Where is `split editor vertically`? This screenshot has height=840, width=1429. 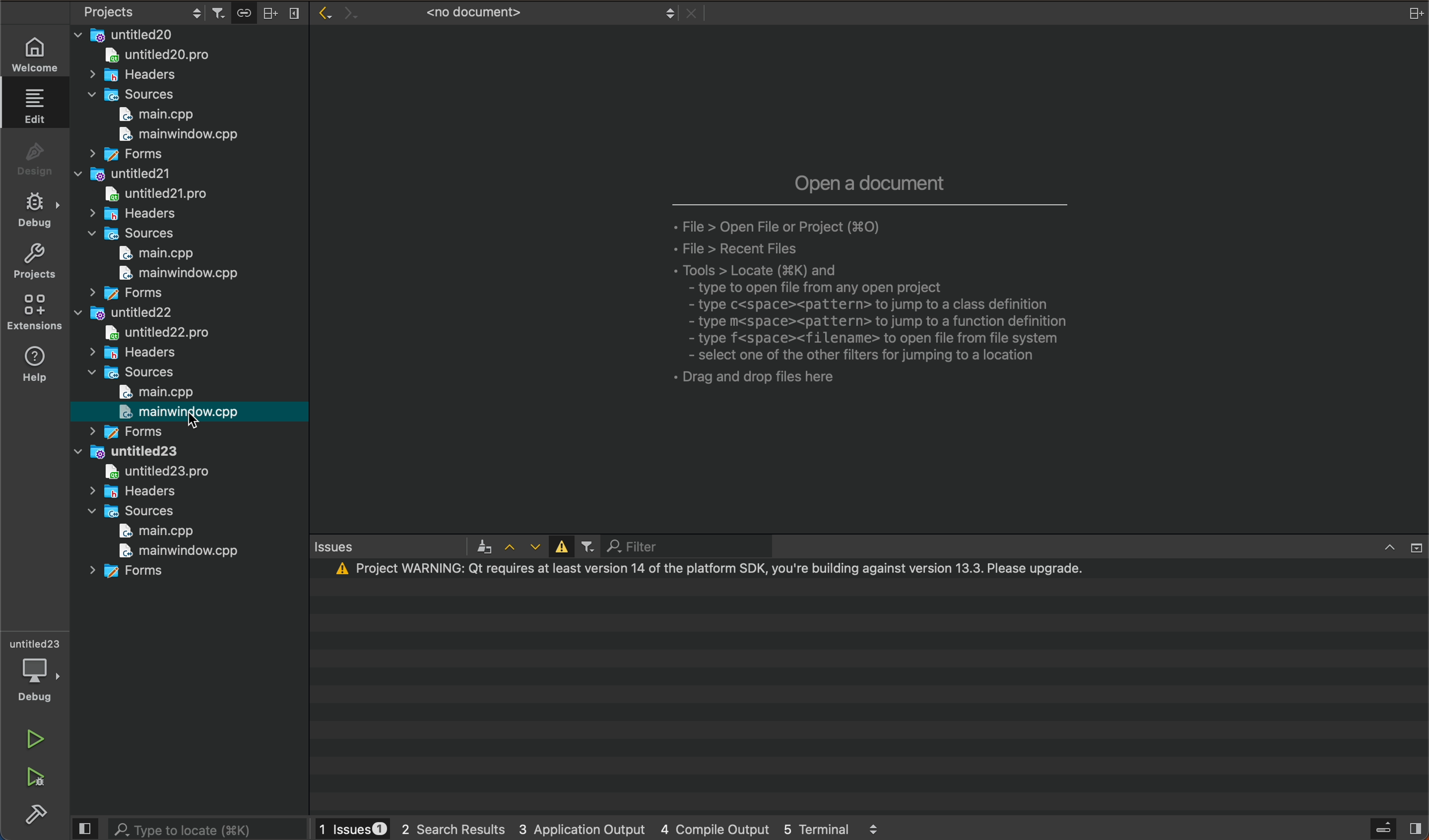
split editor vertically is located at coordinates (293, 11).